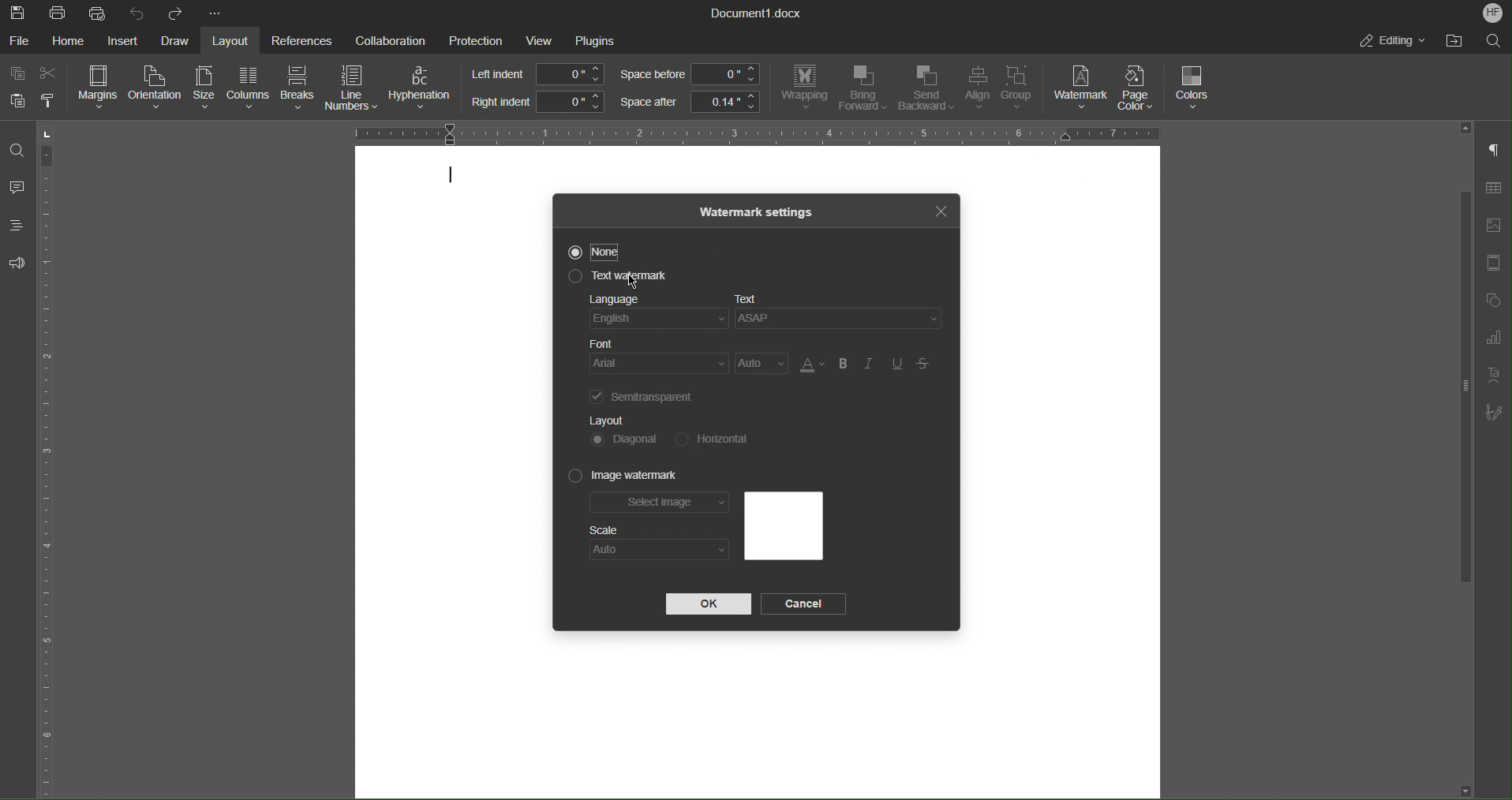 This screenshot has width=1512, height=800. What do you see at coordinates (625, 438) in the screenshot?
I see `Diagonal` at bounding box center [625, 438].